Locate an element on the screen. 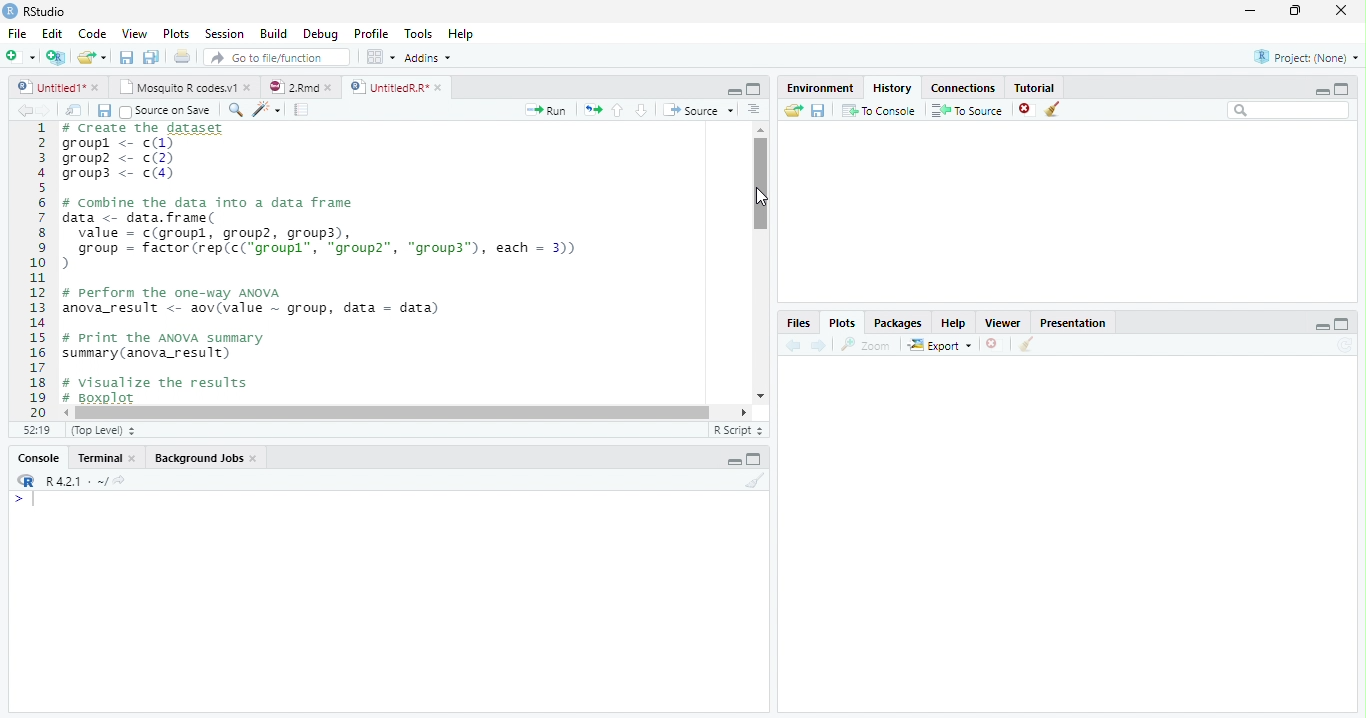 This screenshot has height=718, width=1366. Minimize is located at coordinates (1319, 91).